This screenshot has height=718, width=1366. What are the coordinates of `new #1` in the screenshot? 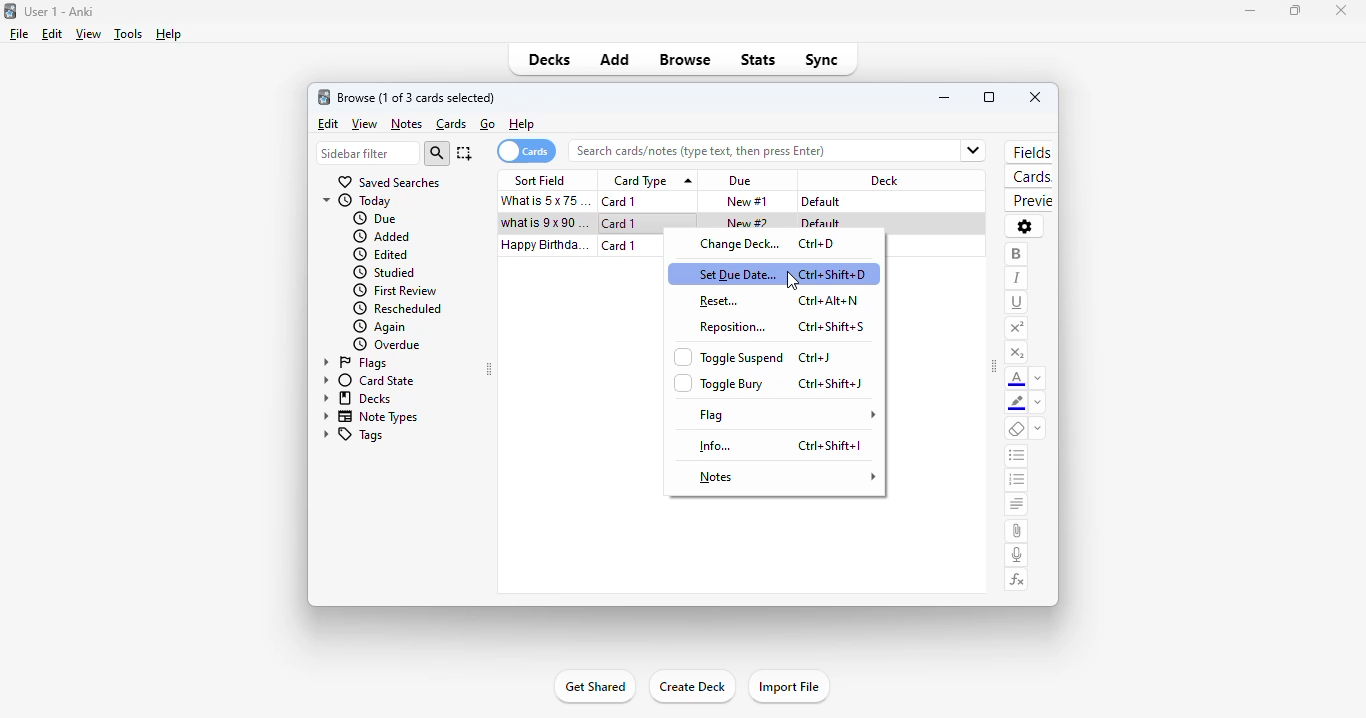 It's located at (748, 202).